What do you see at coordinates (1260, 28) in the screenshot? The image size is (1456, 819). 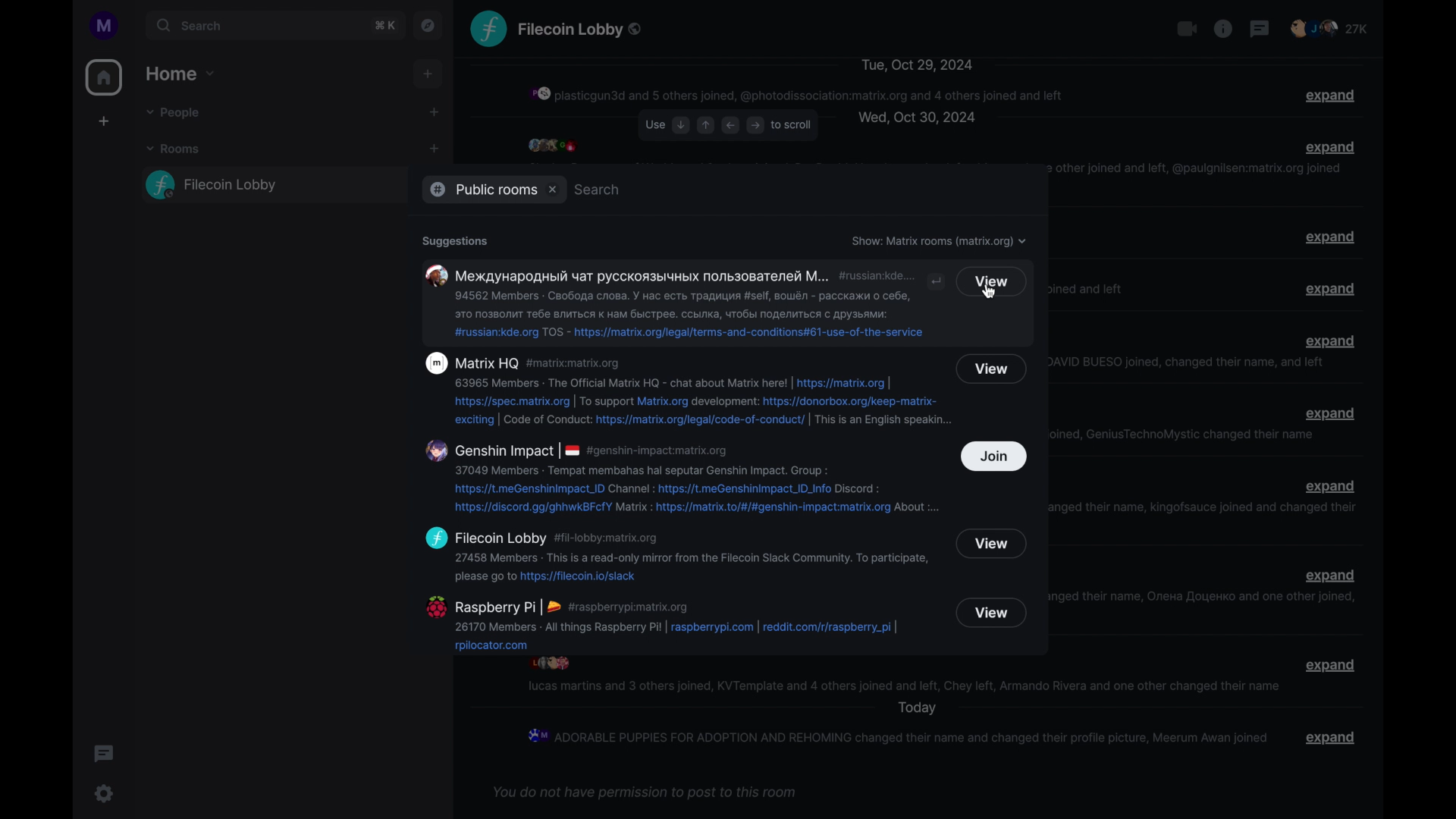 I see `threads ` at bounding box center [1260, 28].